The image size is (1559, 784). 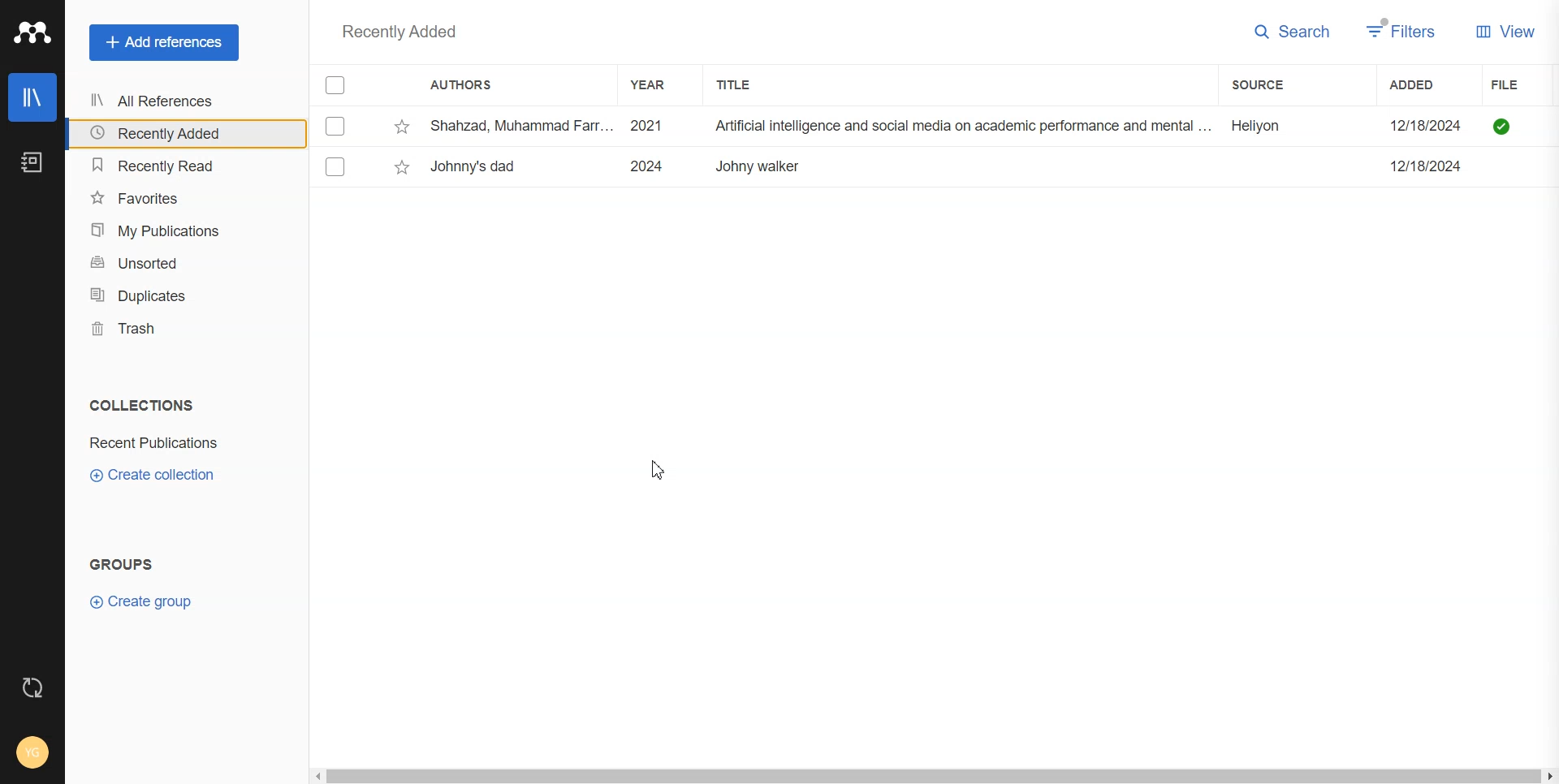 What do you see at coordinates (952, 127) in the screenshot?
I see `Shahzad, Muhammad Farr... 2021 Artificial intelligence and social media on academic performance and mental ...  Heliyon 12/18/2024` at bounding box center [952, 127].